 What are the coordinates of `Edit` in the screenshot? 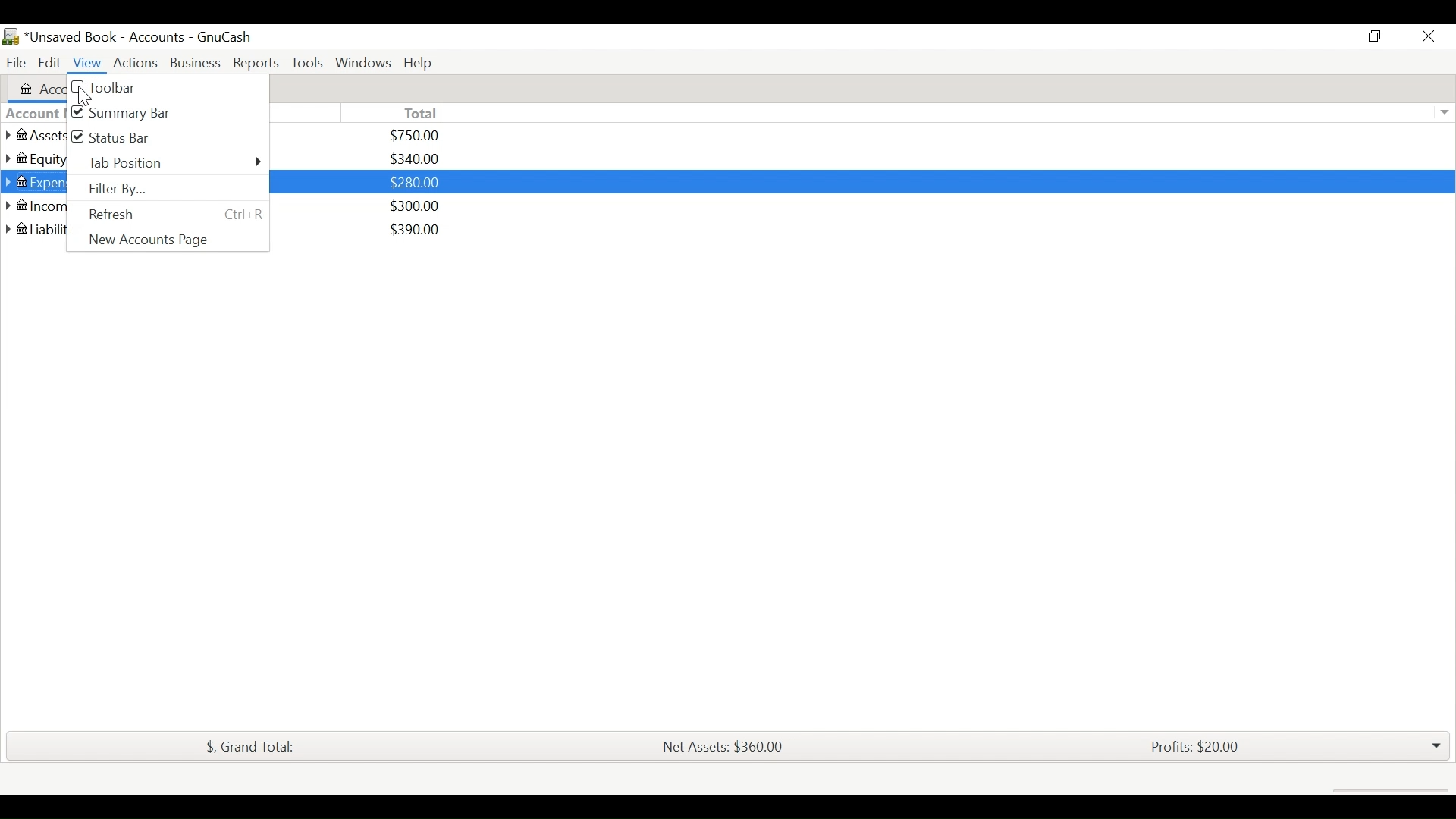 It's located at (49, 61).